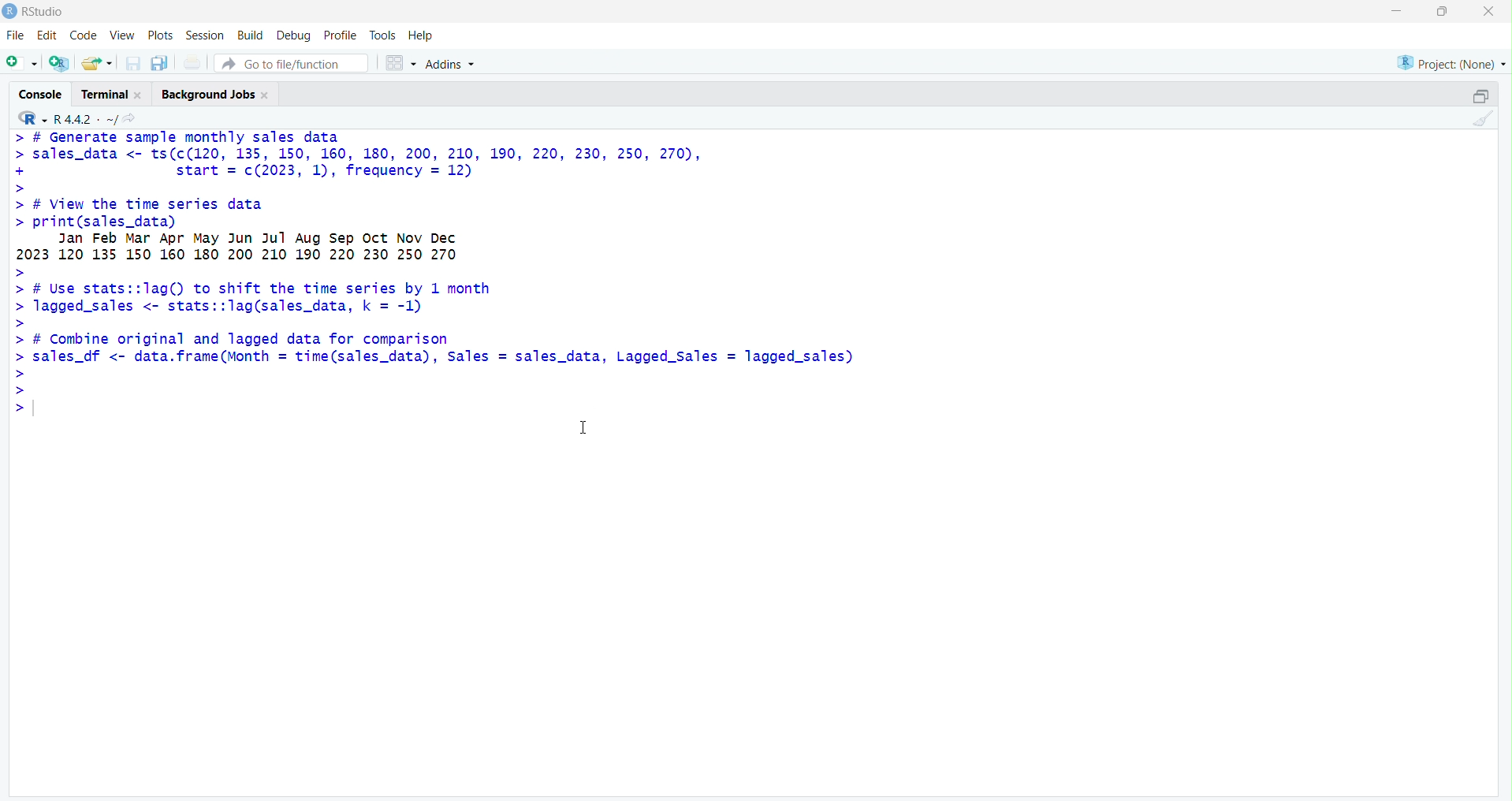  What do you see at coordinates (84, 36) in the screenshot?
I see `code` at bounding box center [84, 36].